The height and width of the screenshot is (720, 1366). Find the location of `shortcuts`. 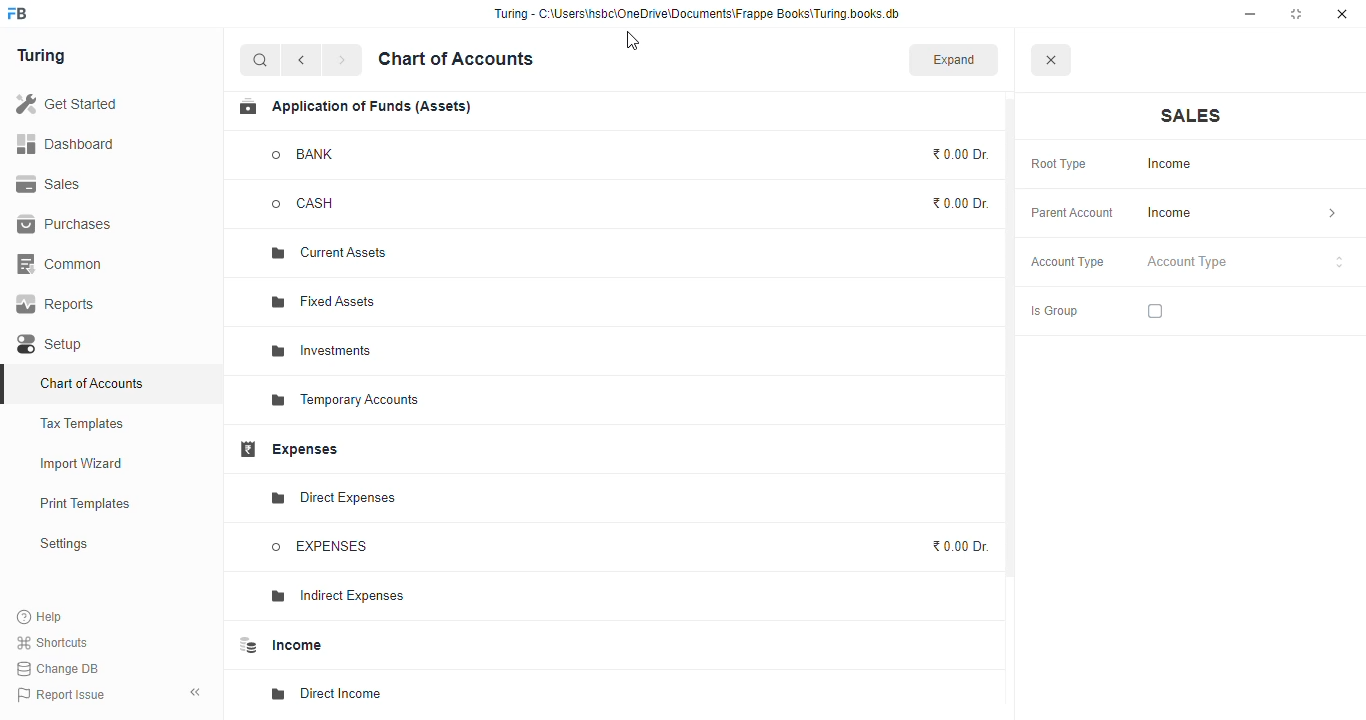

shortcuts is located at coordinates (53, 642).